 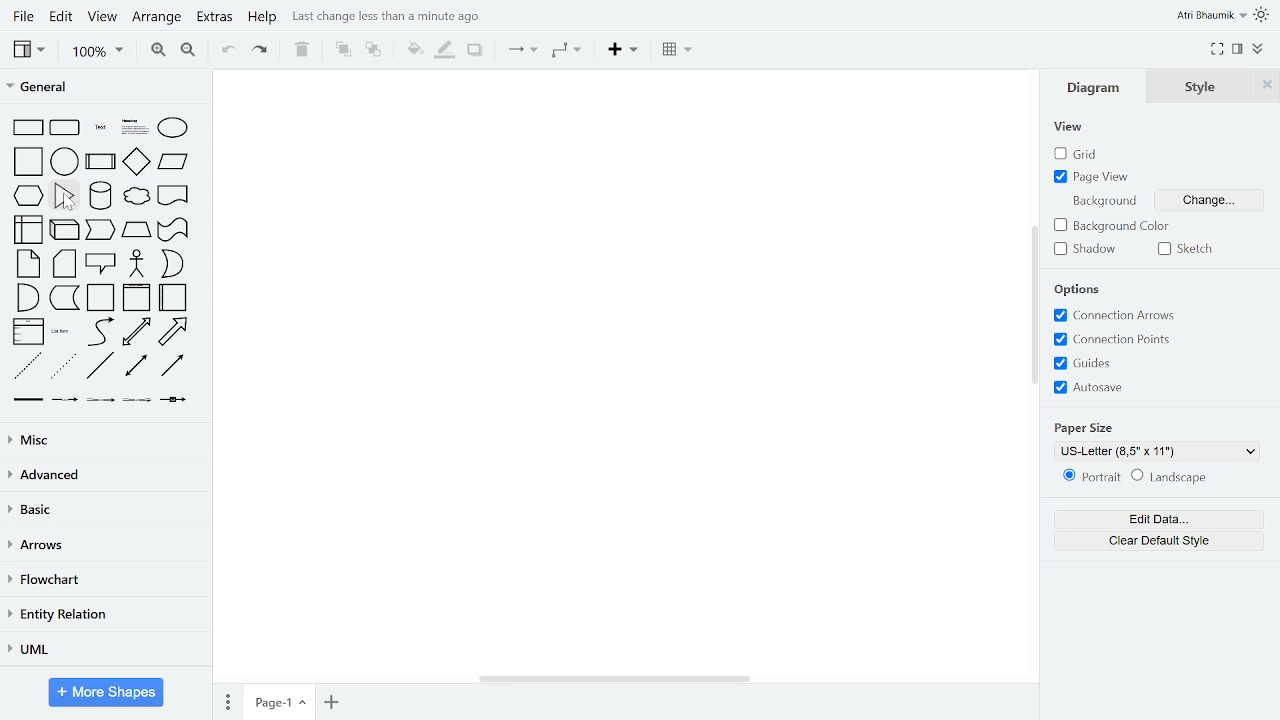 What do you see at coordinates (341, 49) in the screenshot?
I see `to front` at bounding box center [341, 49].